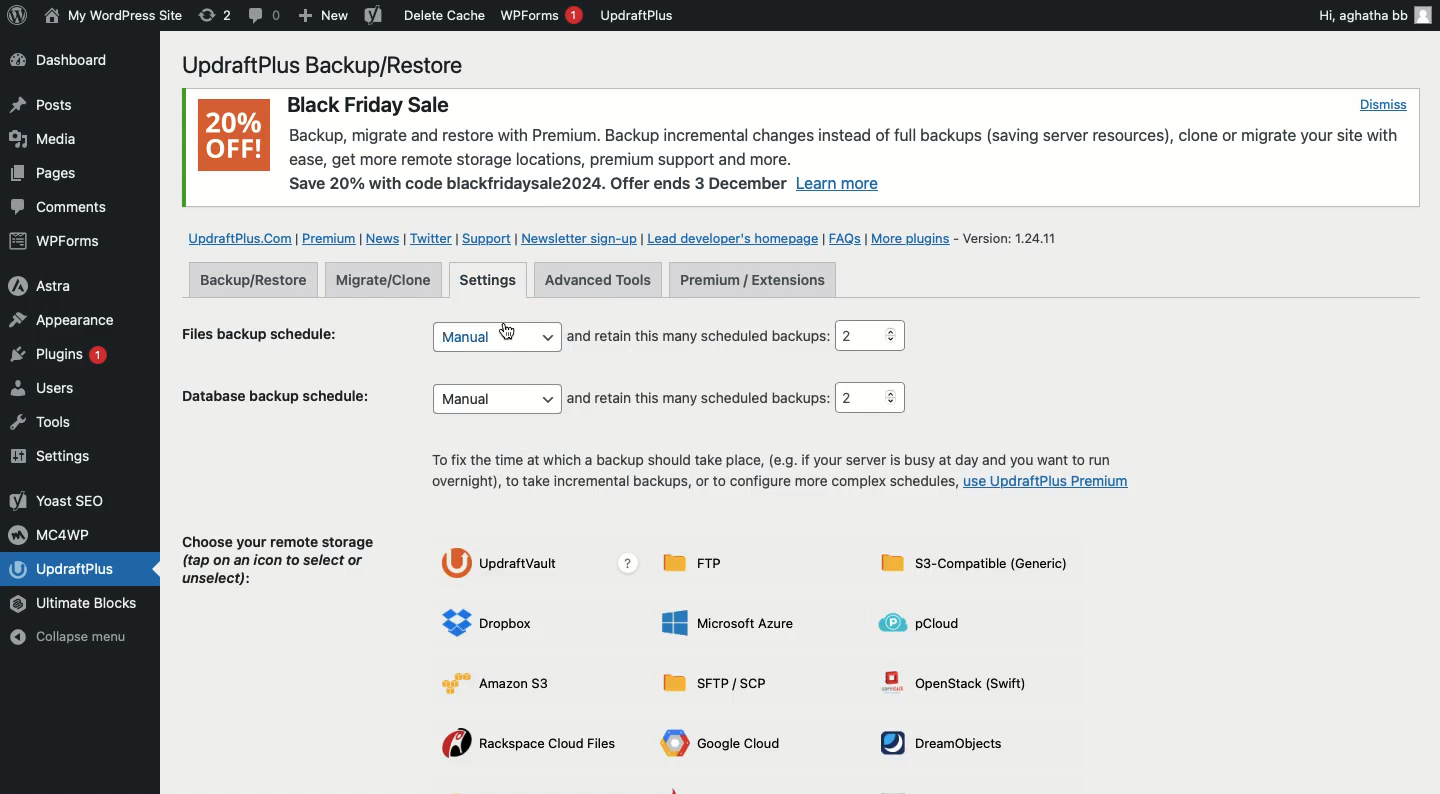 The image size is (1440, 794). Describe the element at coordinates (57, 457) in the screenshot. I see `Settings` at that location.